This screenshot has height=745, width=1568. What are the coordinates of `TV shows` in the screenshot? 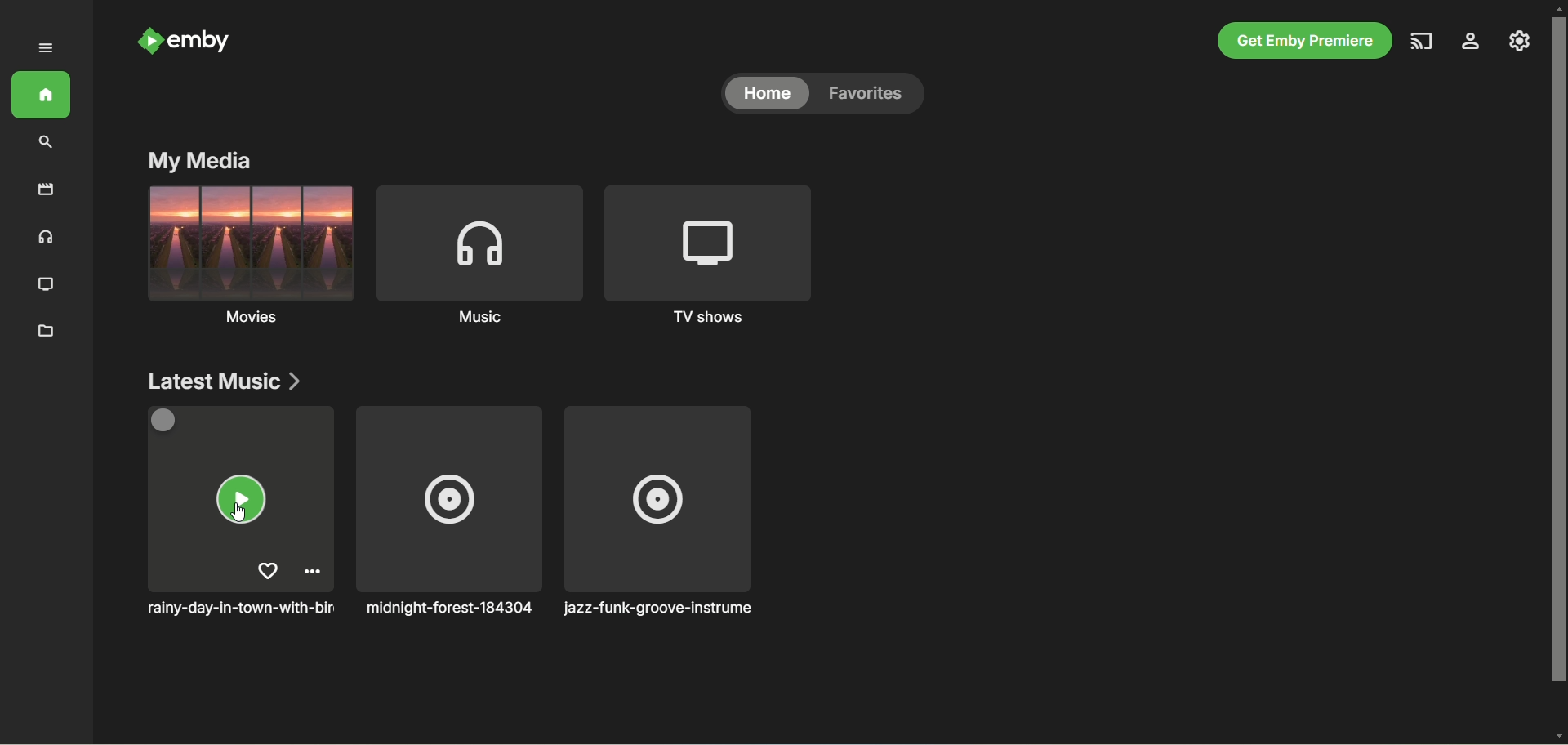 It's located at (705, 253).